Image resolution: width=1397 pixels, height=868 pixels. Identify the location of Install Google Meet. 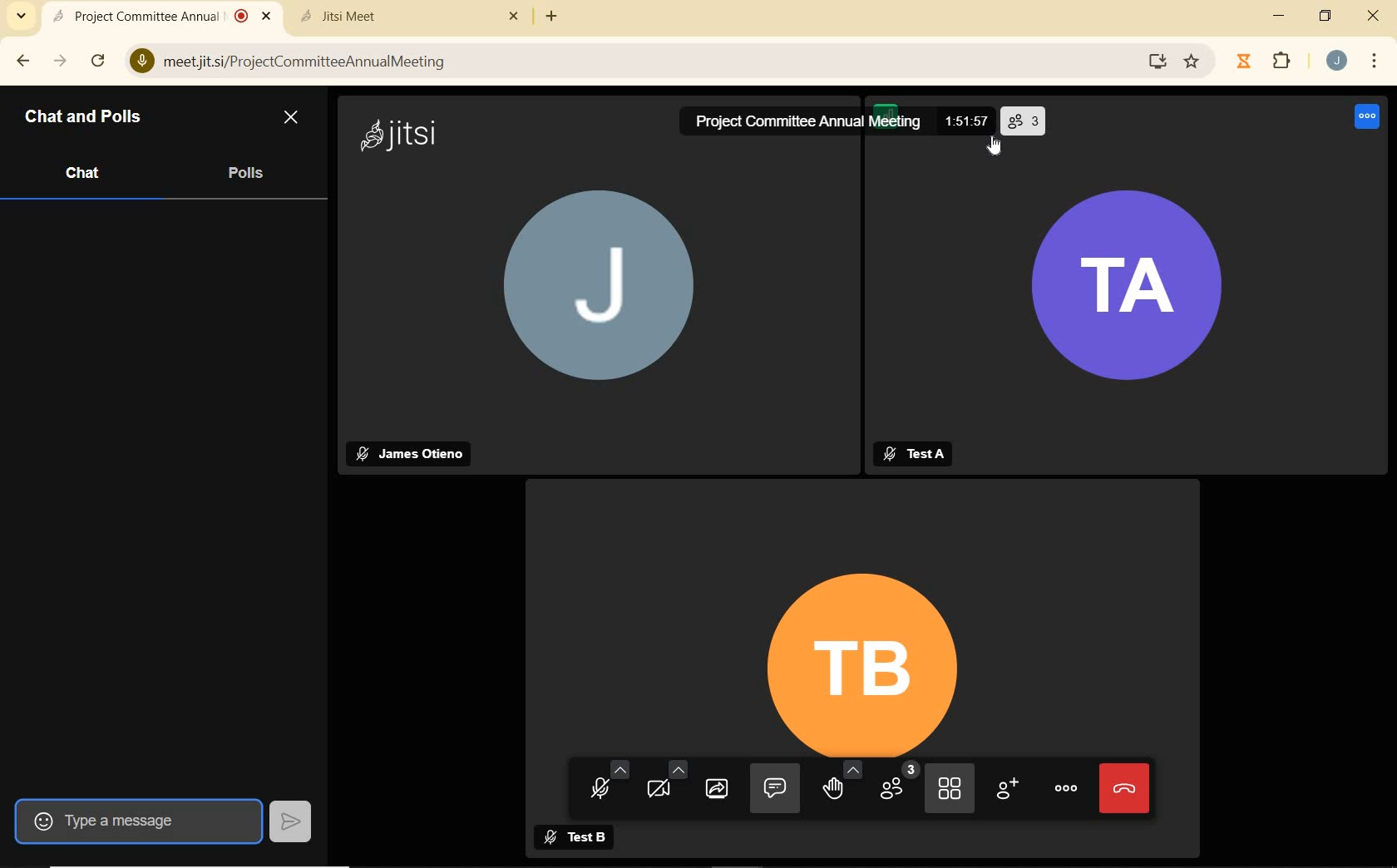
(1154, 63).